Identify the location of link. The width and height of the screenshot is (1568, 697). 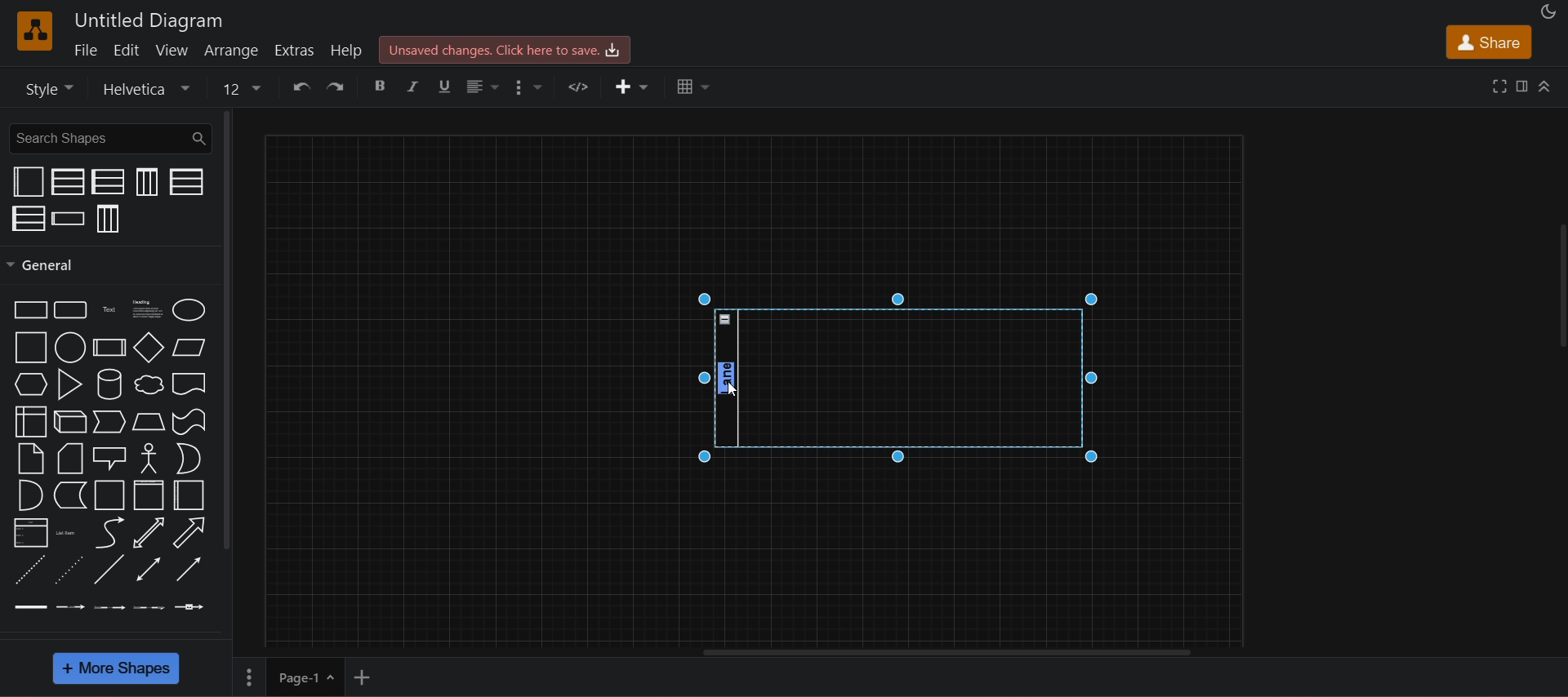
(30, 607).